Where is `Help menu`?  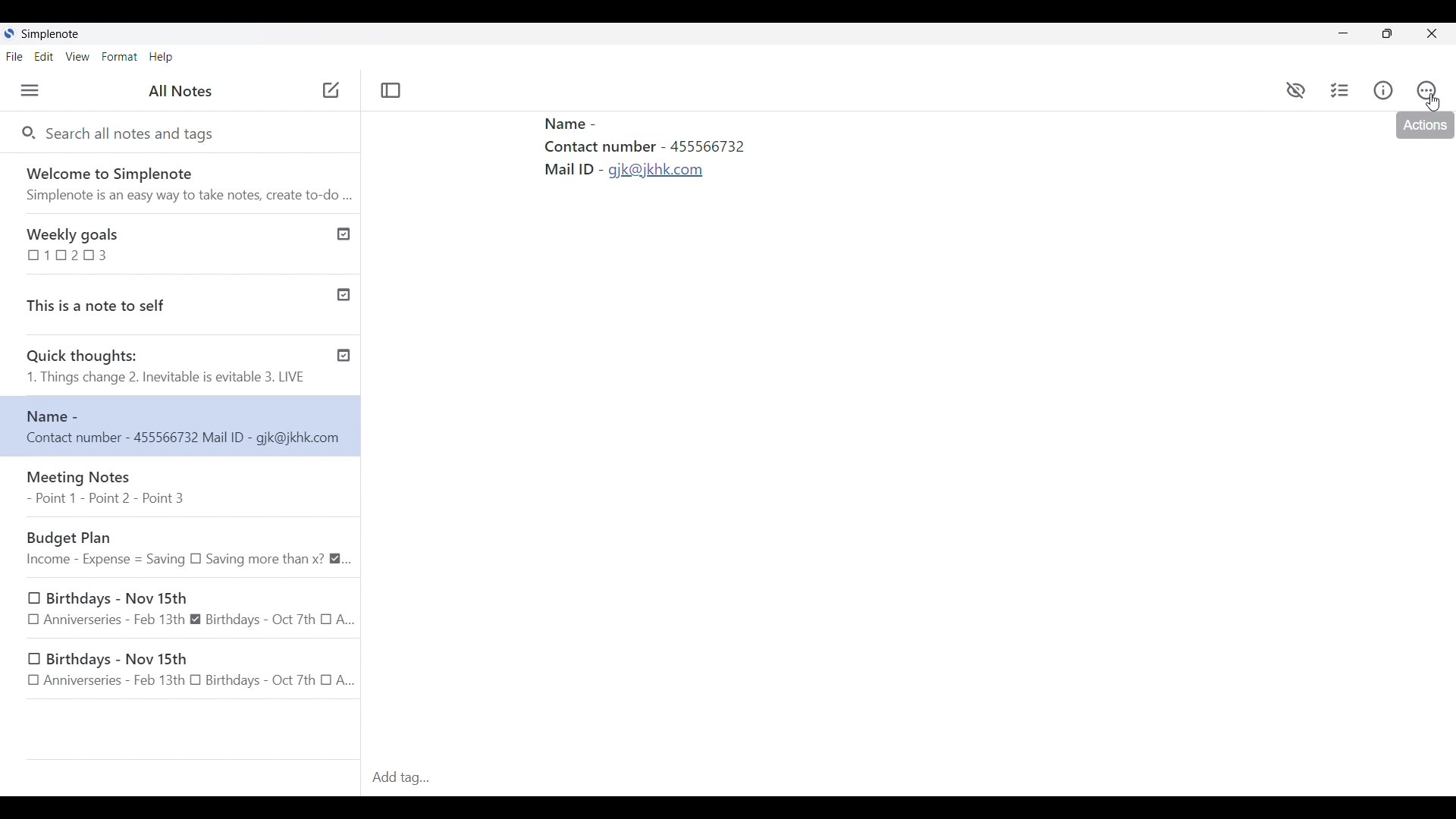
Help menu is located at coordinates (162, 57).